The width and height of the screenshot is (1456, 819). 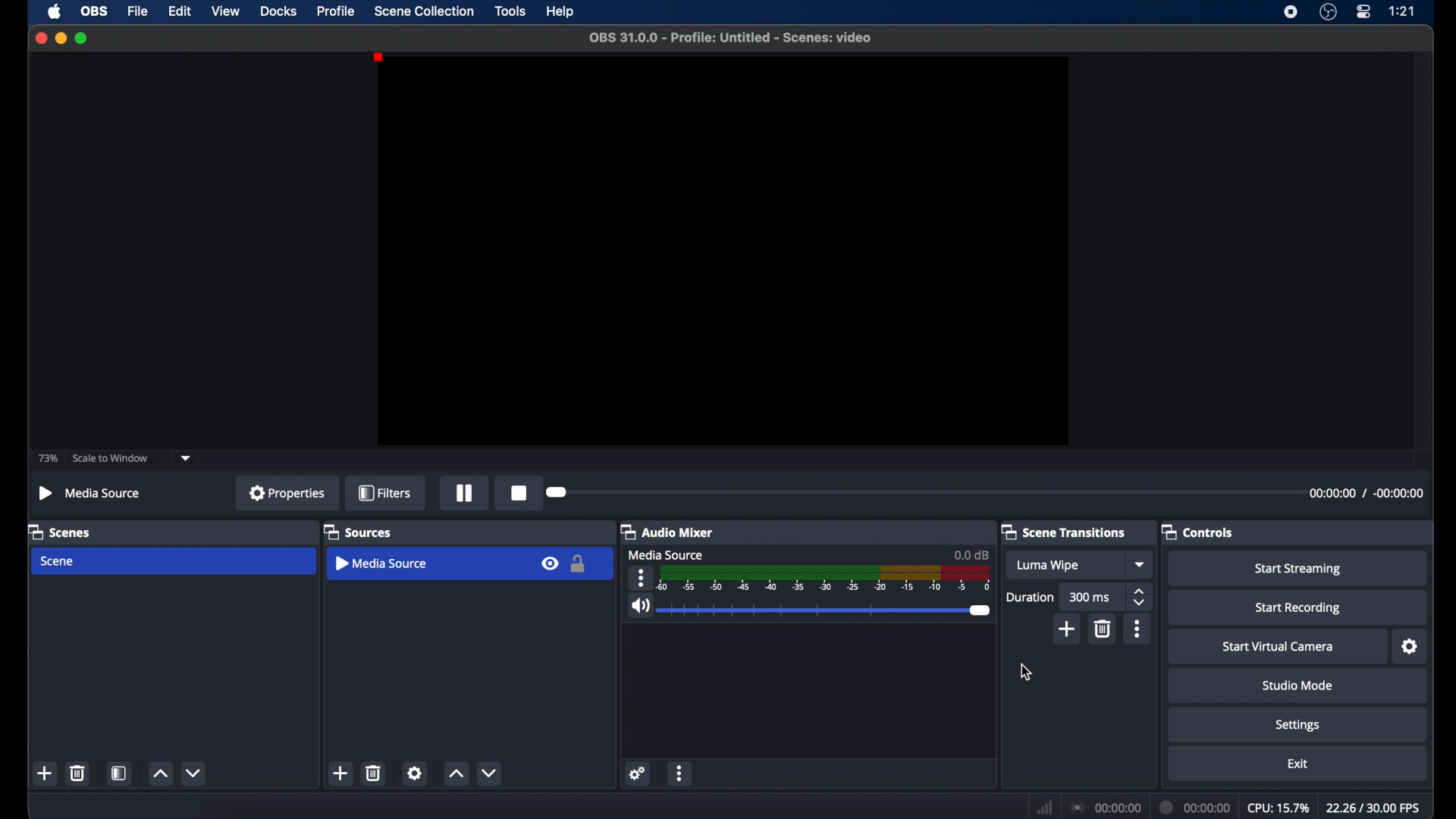 I want to click on delete, so click(x=77, y=773).